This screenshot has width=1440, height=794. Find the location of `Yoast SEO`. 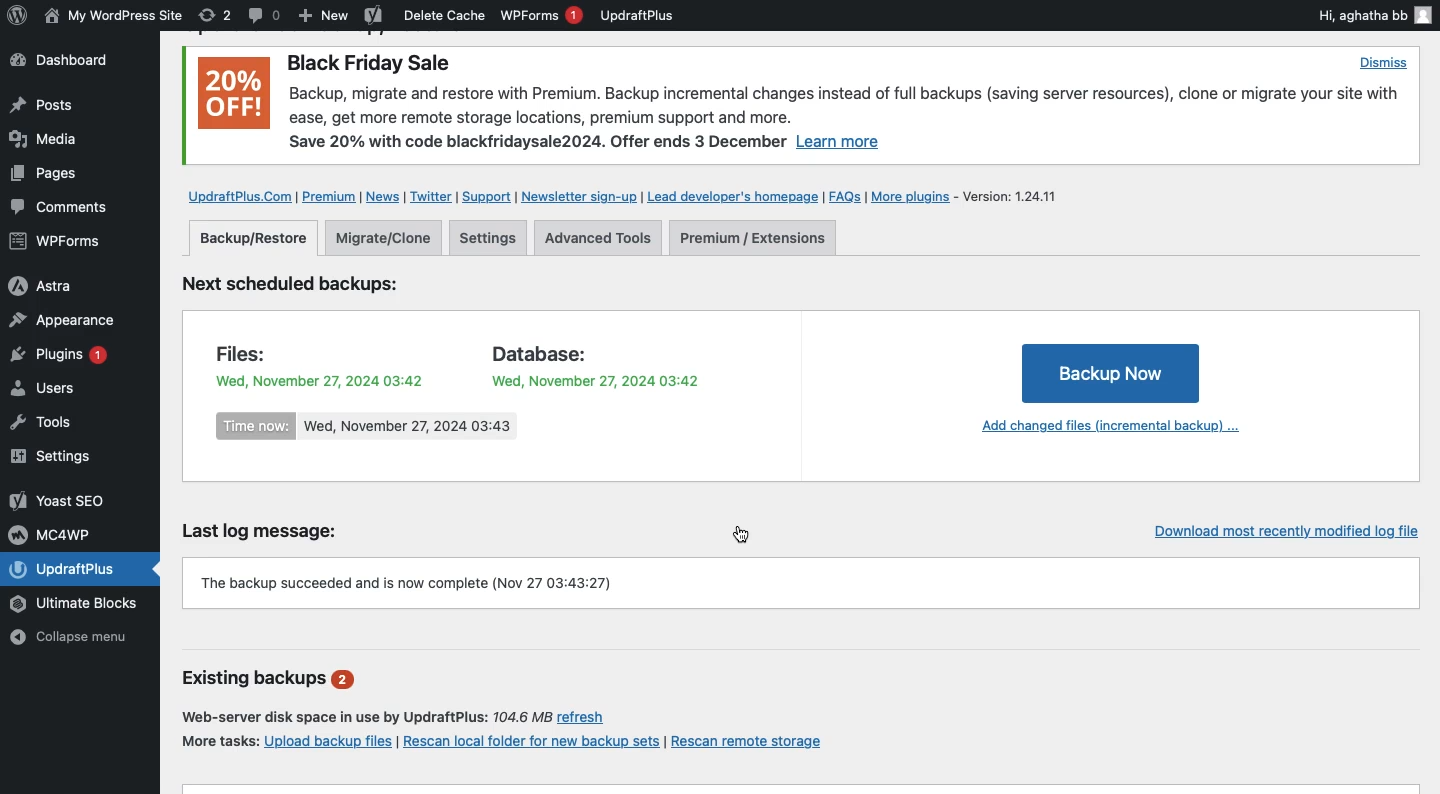

Yoast SEO is located at coordinates (60, 500).